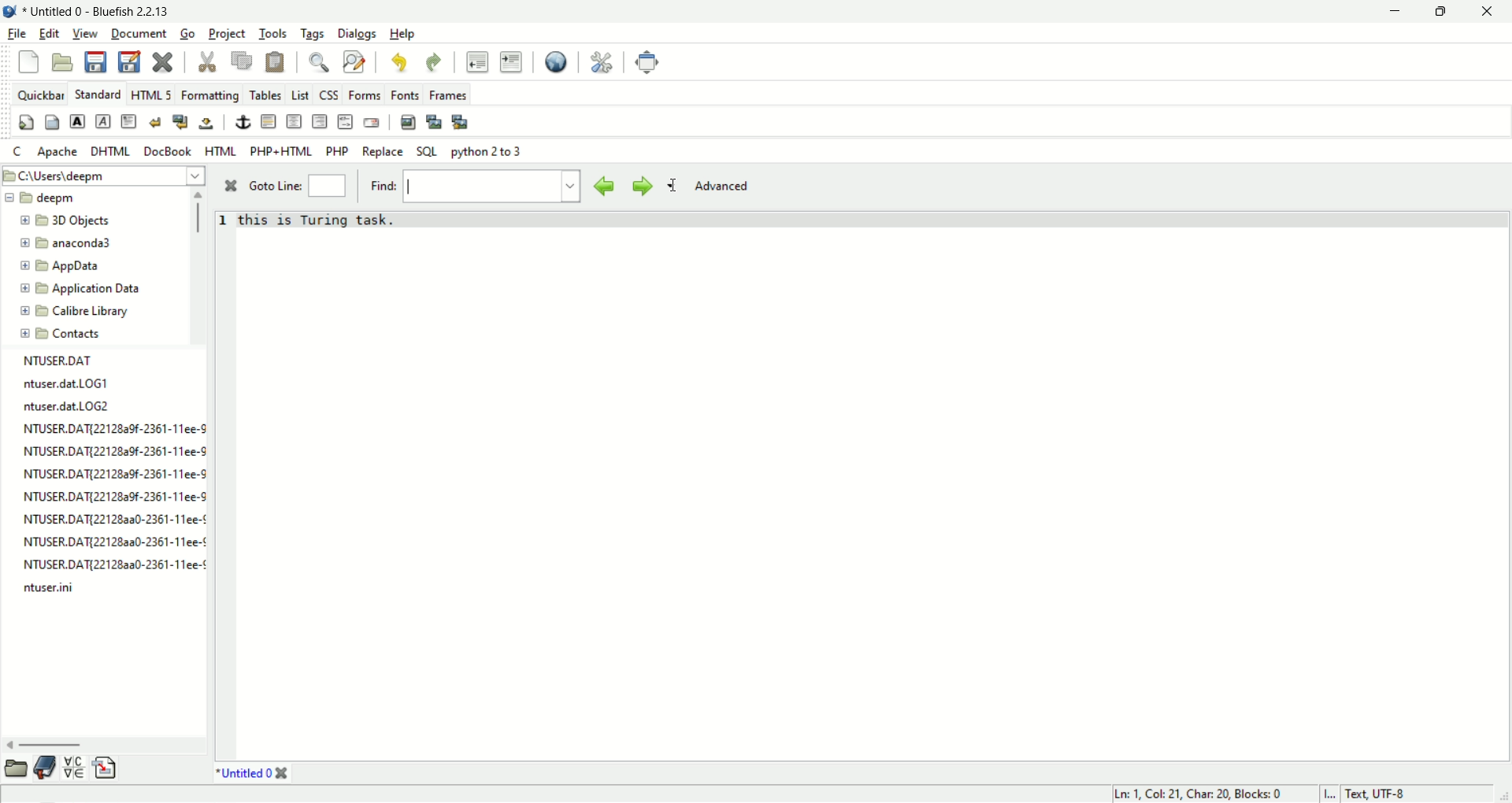  What do you see at coordinates (150, 94) in the screenshot?
I see `HTML 5` at bounding box center [150, 94].